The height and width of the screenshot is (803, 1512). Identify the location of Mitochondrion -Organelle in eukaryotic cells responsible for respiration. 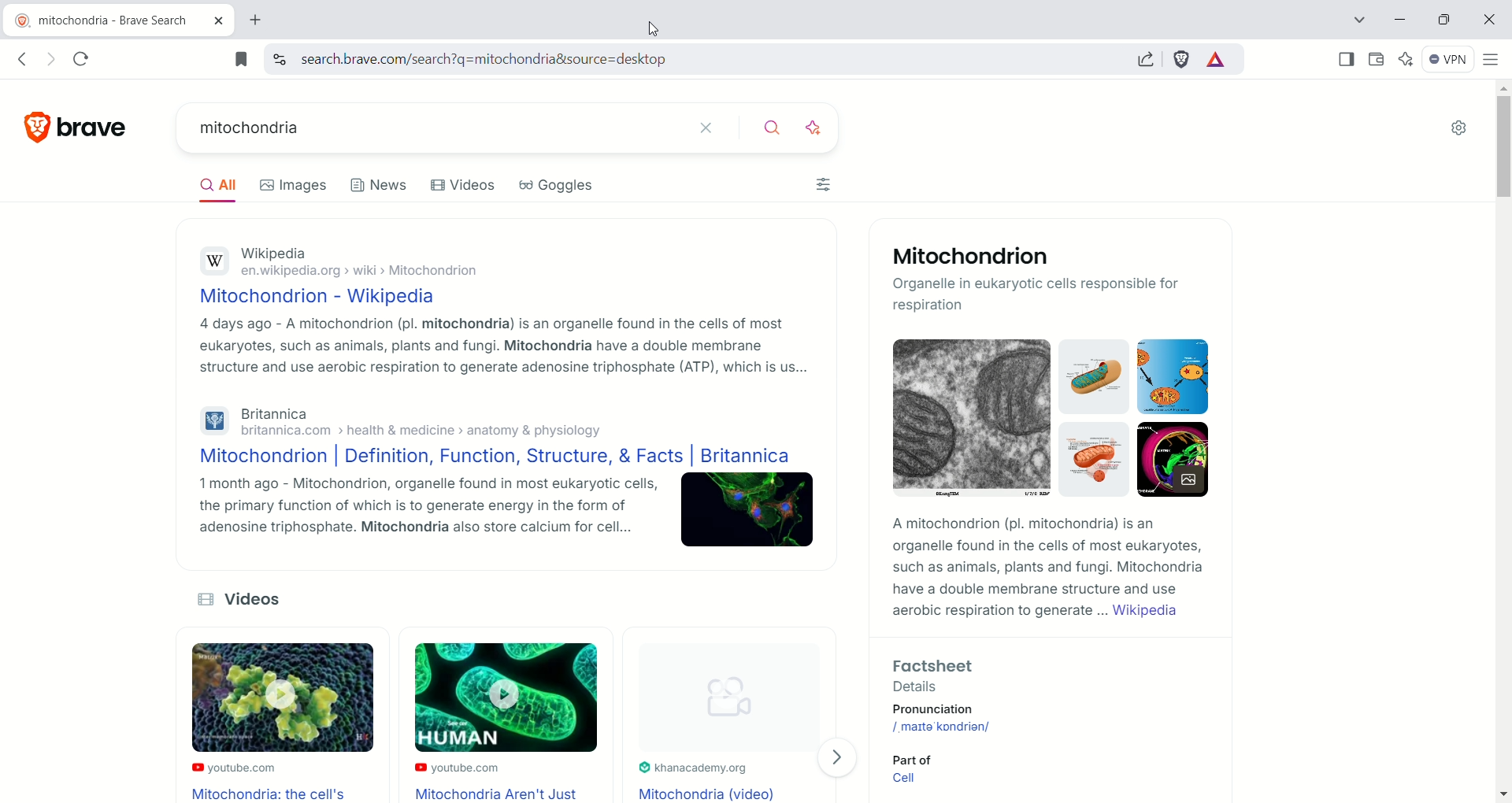
(1050, 280).